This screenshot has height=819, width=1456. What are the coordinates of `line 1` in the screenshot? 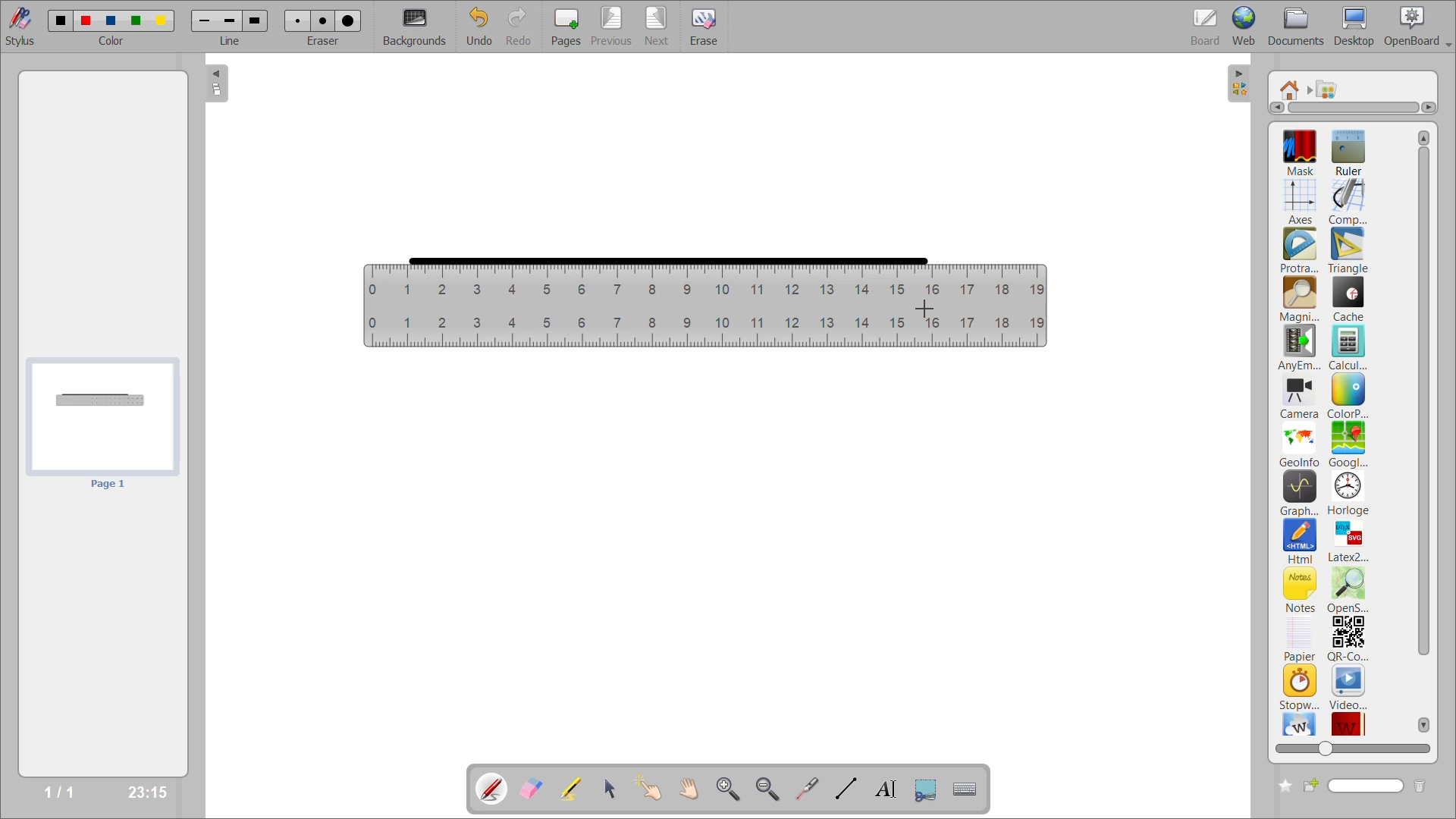 It's located at (206, 22).